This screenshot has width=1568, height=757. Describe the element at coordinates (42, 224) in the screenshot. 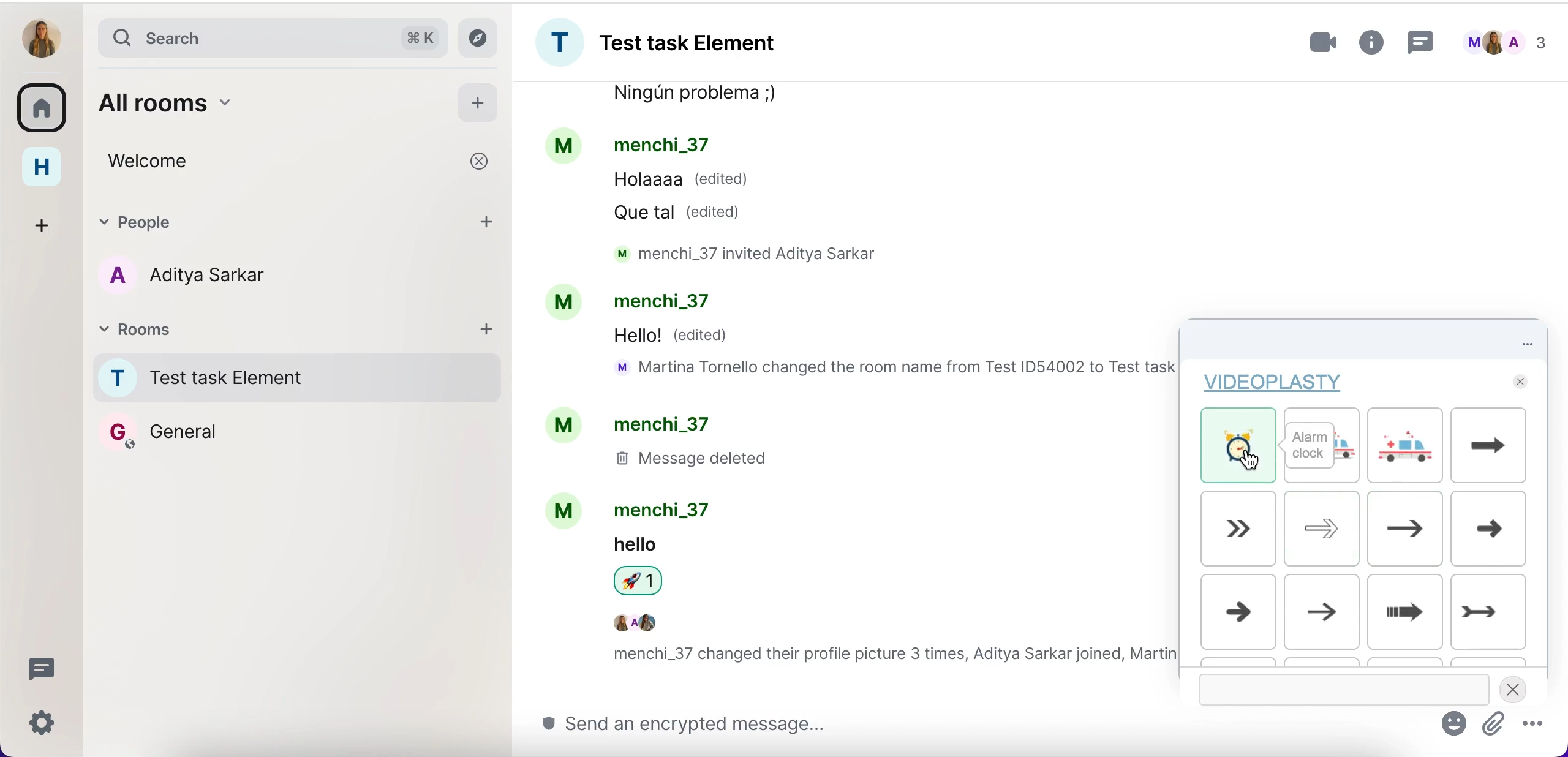

I see `create a space` at that location.